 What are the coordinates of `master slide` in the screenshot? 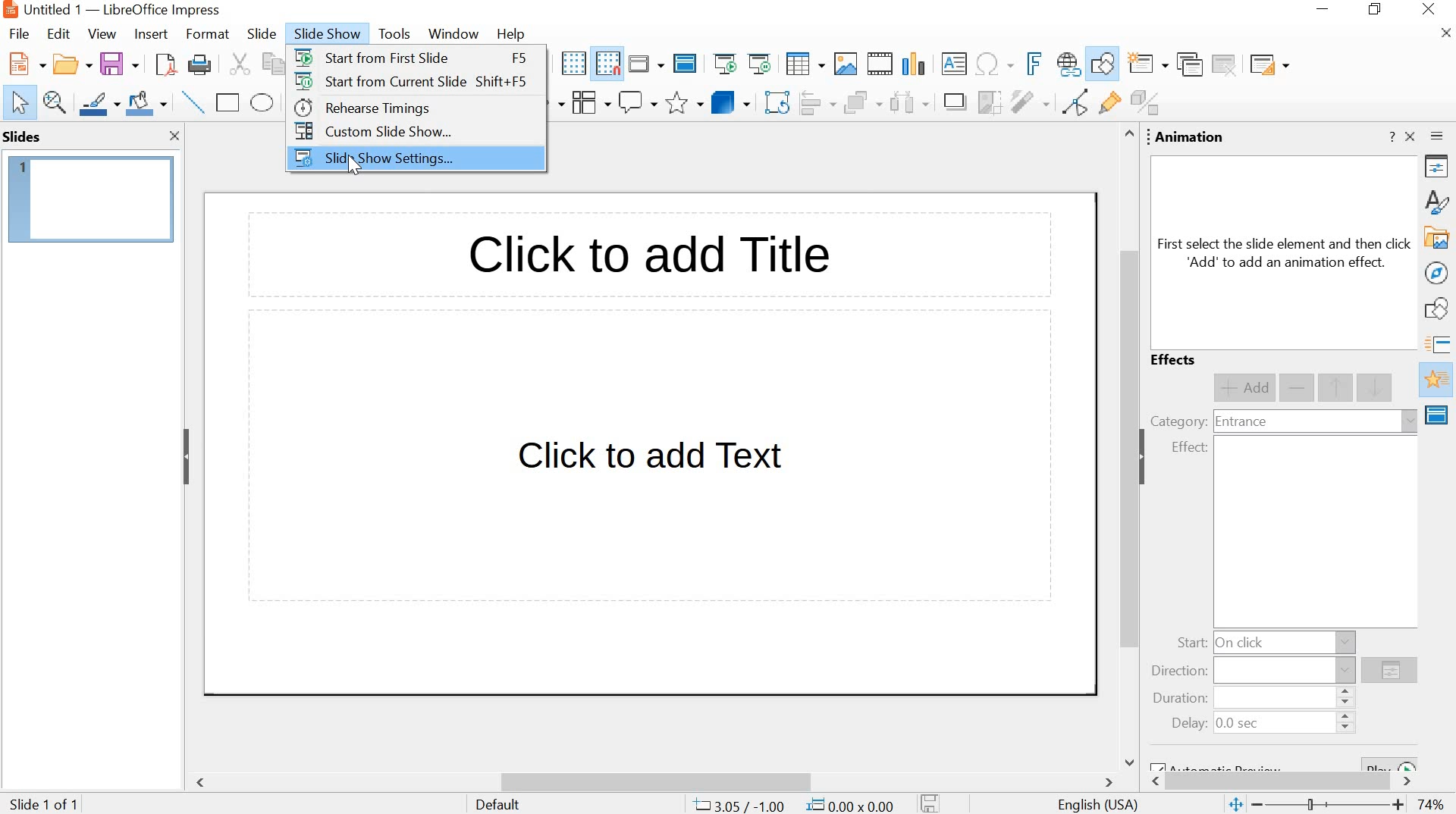 It's located at (685, 64).